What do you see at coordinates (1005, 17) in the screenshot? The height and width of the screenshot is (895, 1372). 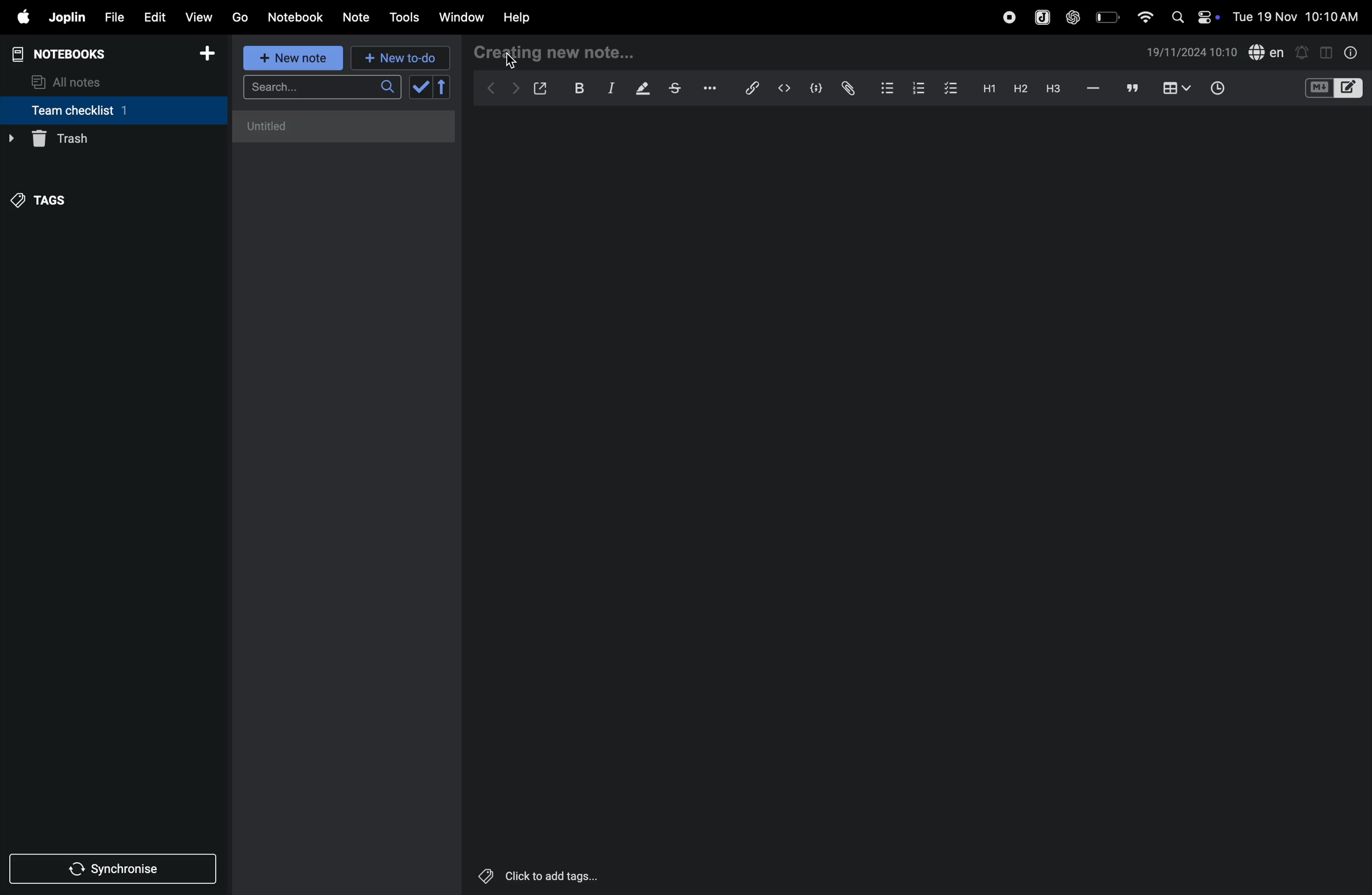 I see `record` at bounding box center [1005, 17].